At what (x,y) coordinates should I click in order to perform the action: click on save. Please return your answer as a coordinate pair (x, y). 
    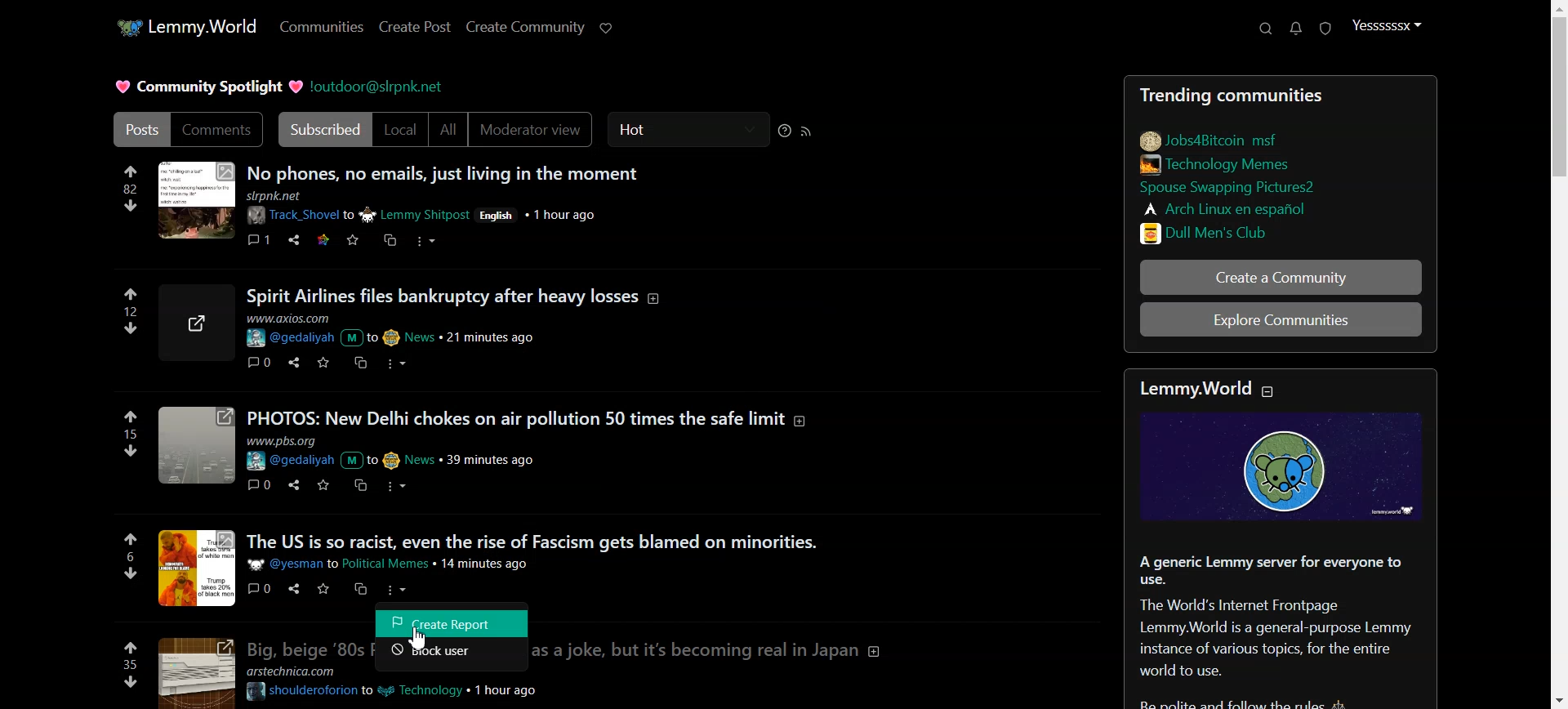
    Looking at the image, I should click on (320, 485).